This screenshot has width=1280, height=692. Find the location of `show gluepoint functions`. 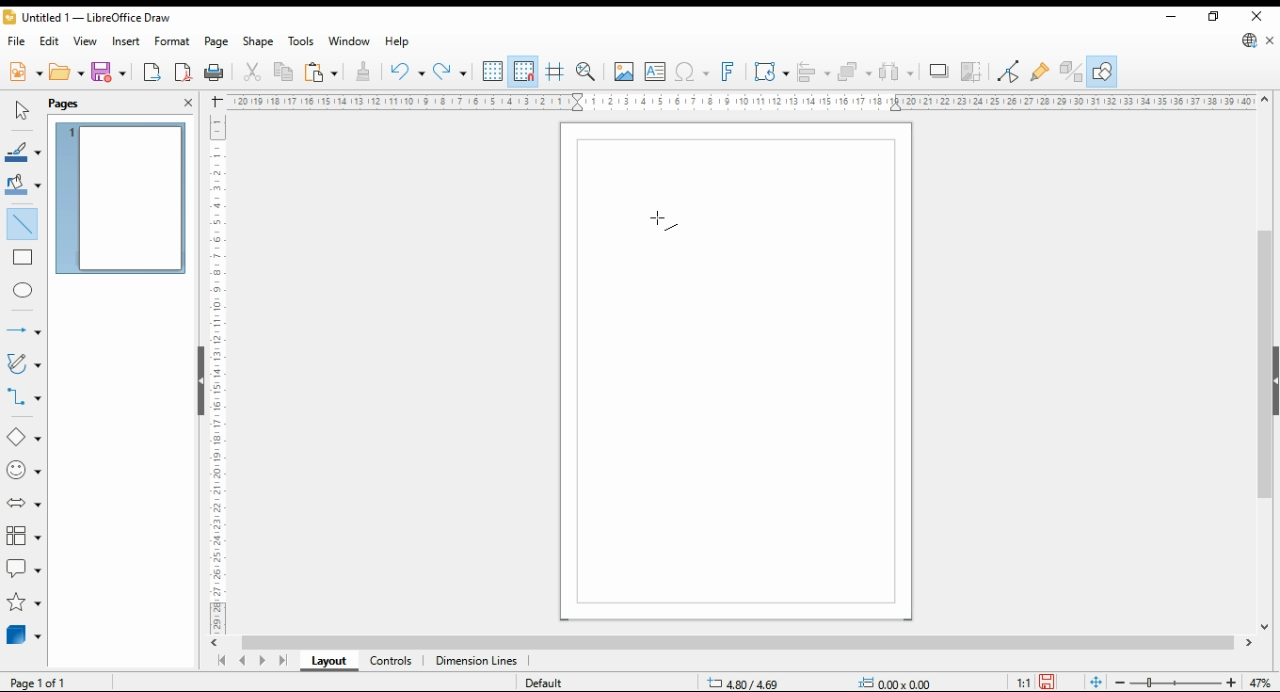

show gluepoint functions is located at coordinates (1040, 71).